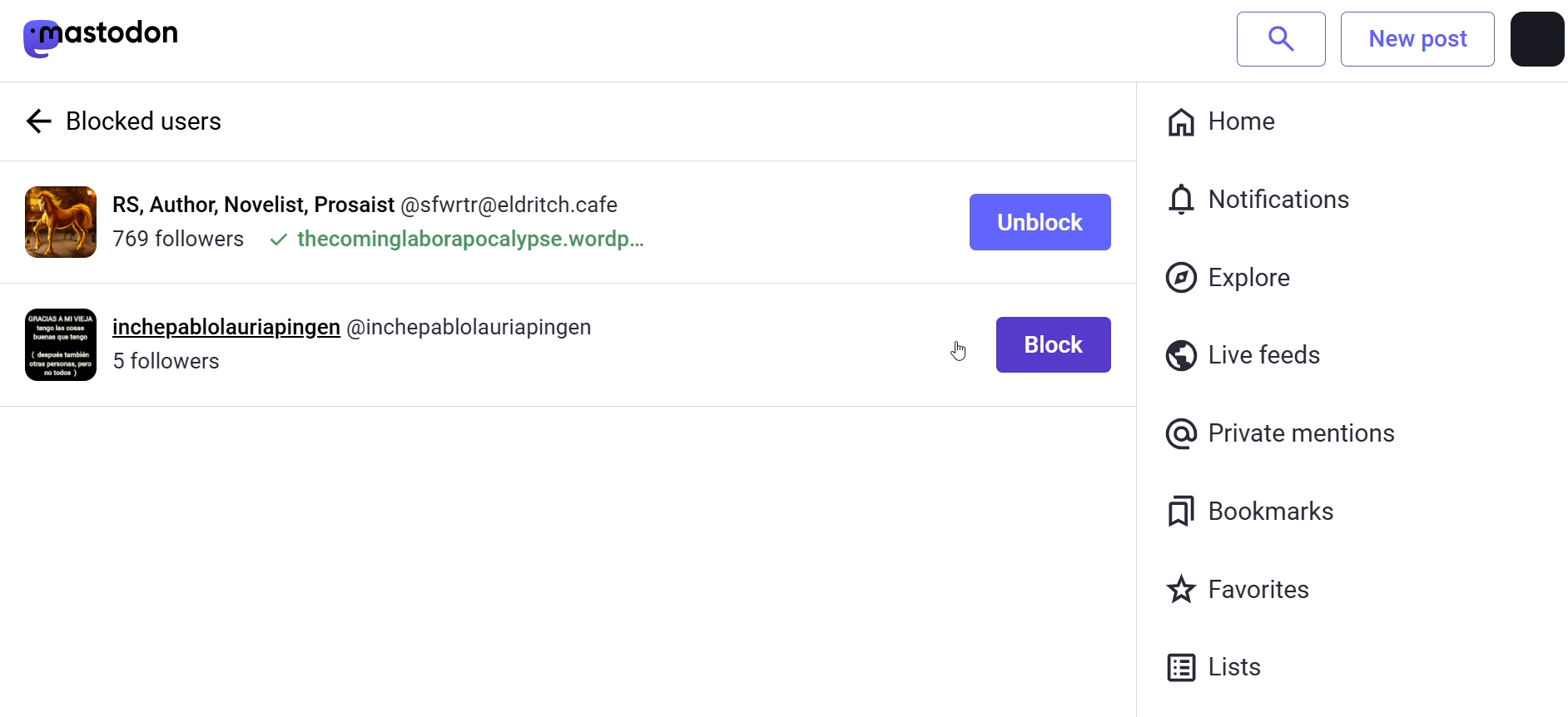  I want to click on bookmarks, so click(1250, 511).